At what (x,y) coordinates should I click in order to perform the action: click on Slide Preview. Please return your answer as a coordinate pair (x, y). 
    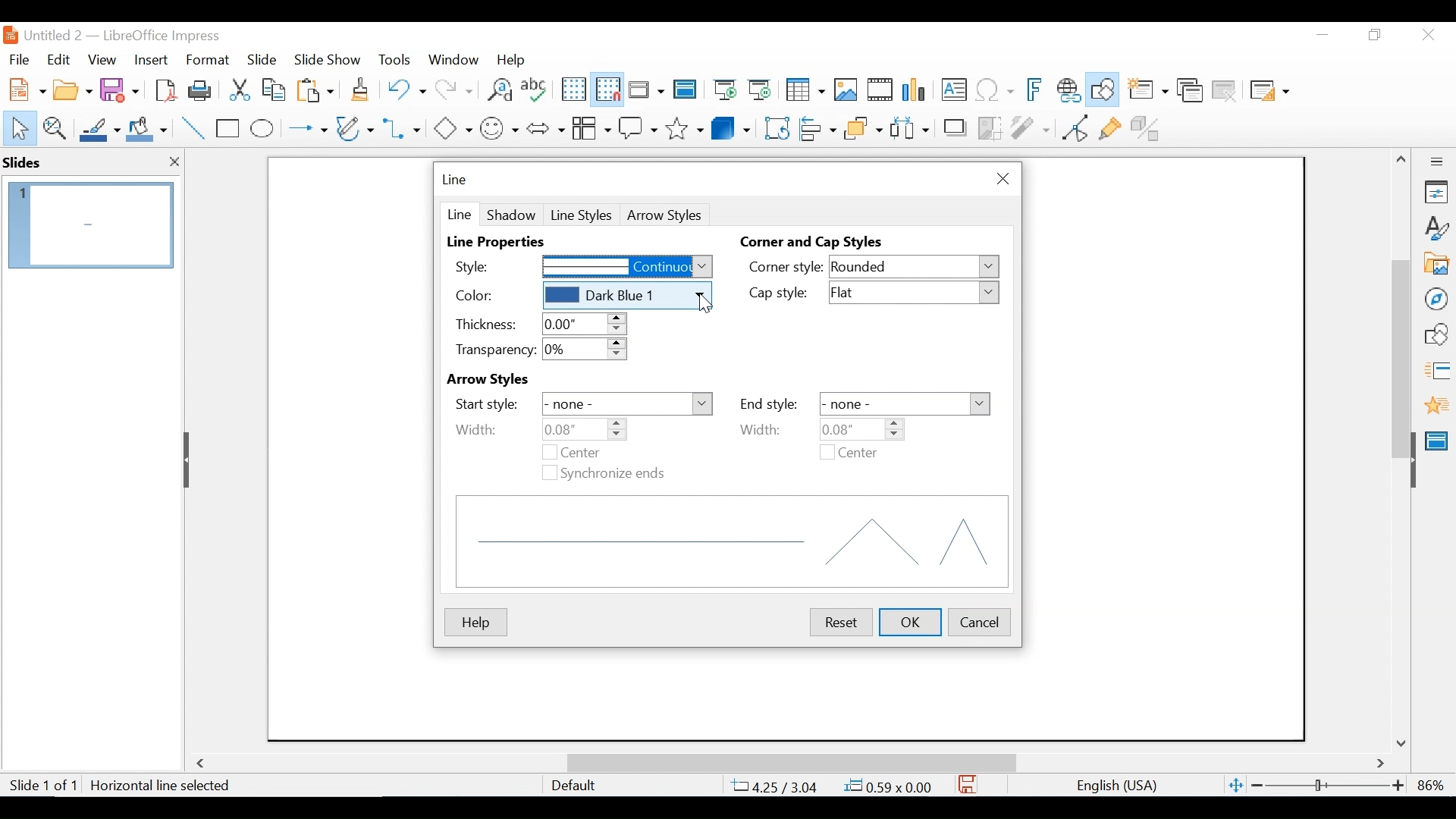
    Looking at the image, I should click on (89, 224).